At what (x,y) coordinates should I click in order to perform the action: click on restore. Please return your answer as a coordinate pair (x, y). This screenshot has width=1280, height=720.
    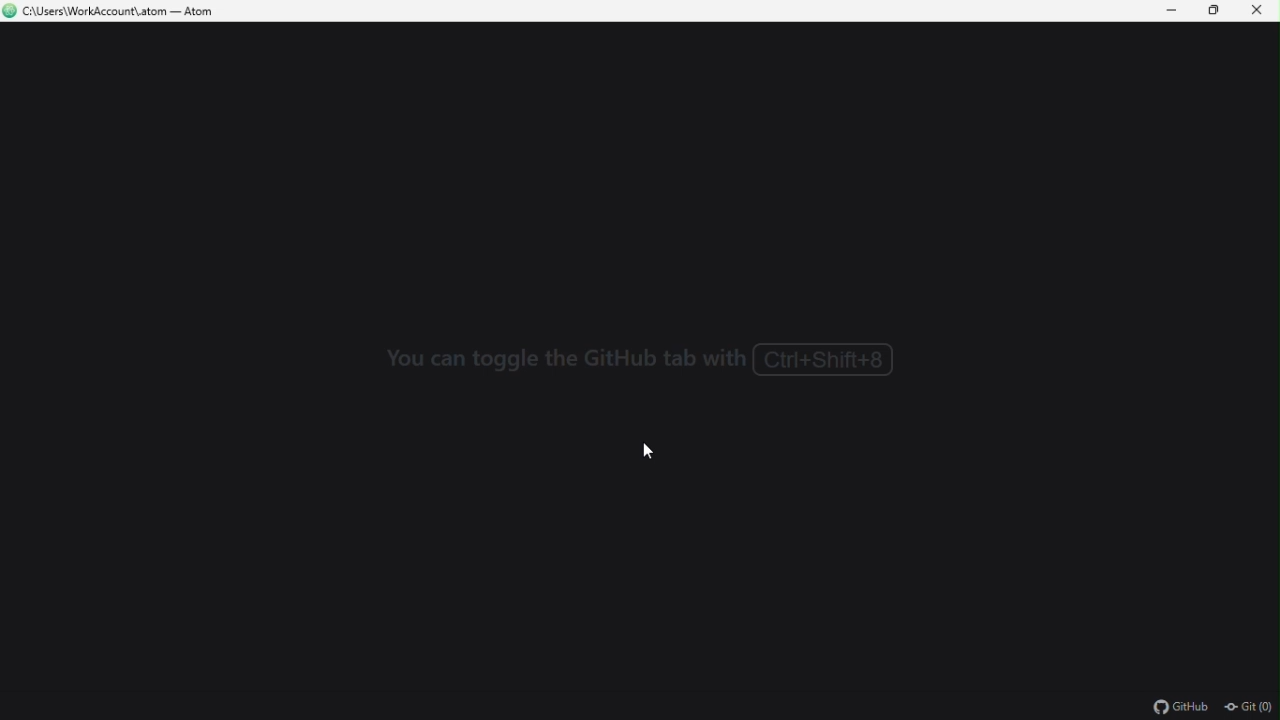
    Looking at the image, I should click on (1216, 13).